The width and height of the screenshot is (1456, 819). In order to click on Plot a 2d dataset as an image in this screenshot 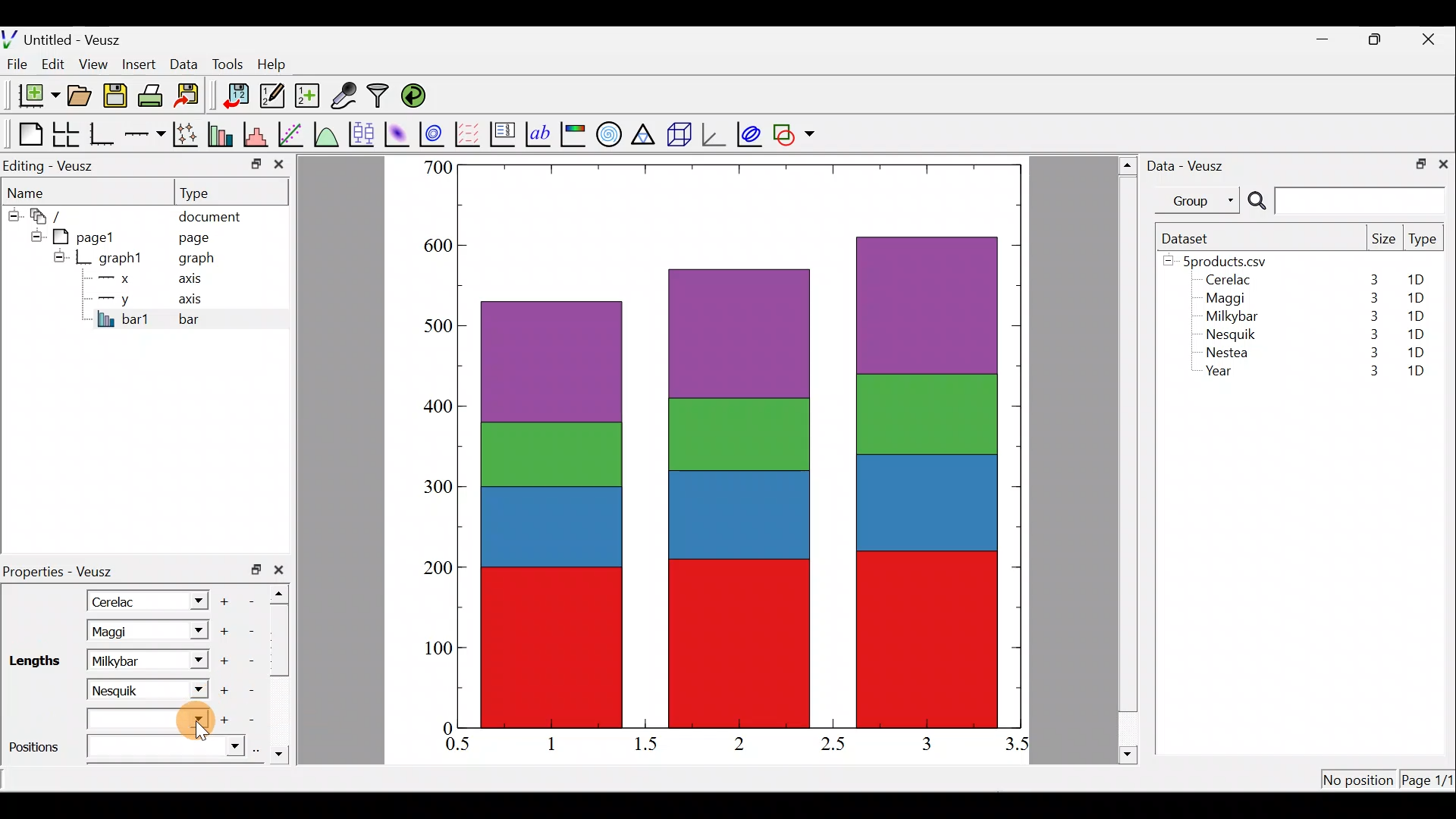, I will do `click(399, 132)`.